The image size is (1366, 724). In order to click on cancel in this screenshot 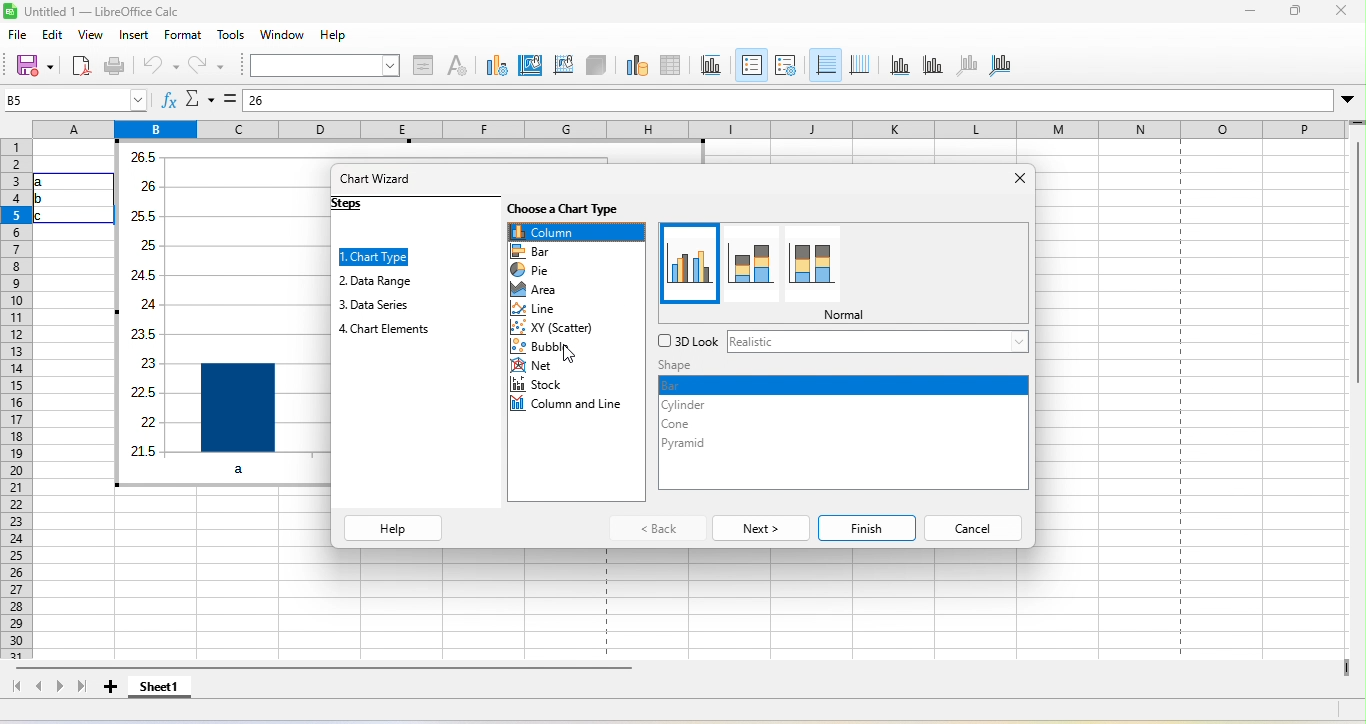, I will do `click(976, 524)`.